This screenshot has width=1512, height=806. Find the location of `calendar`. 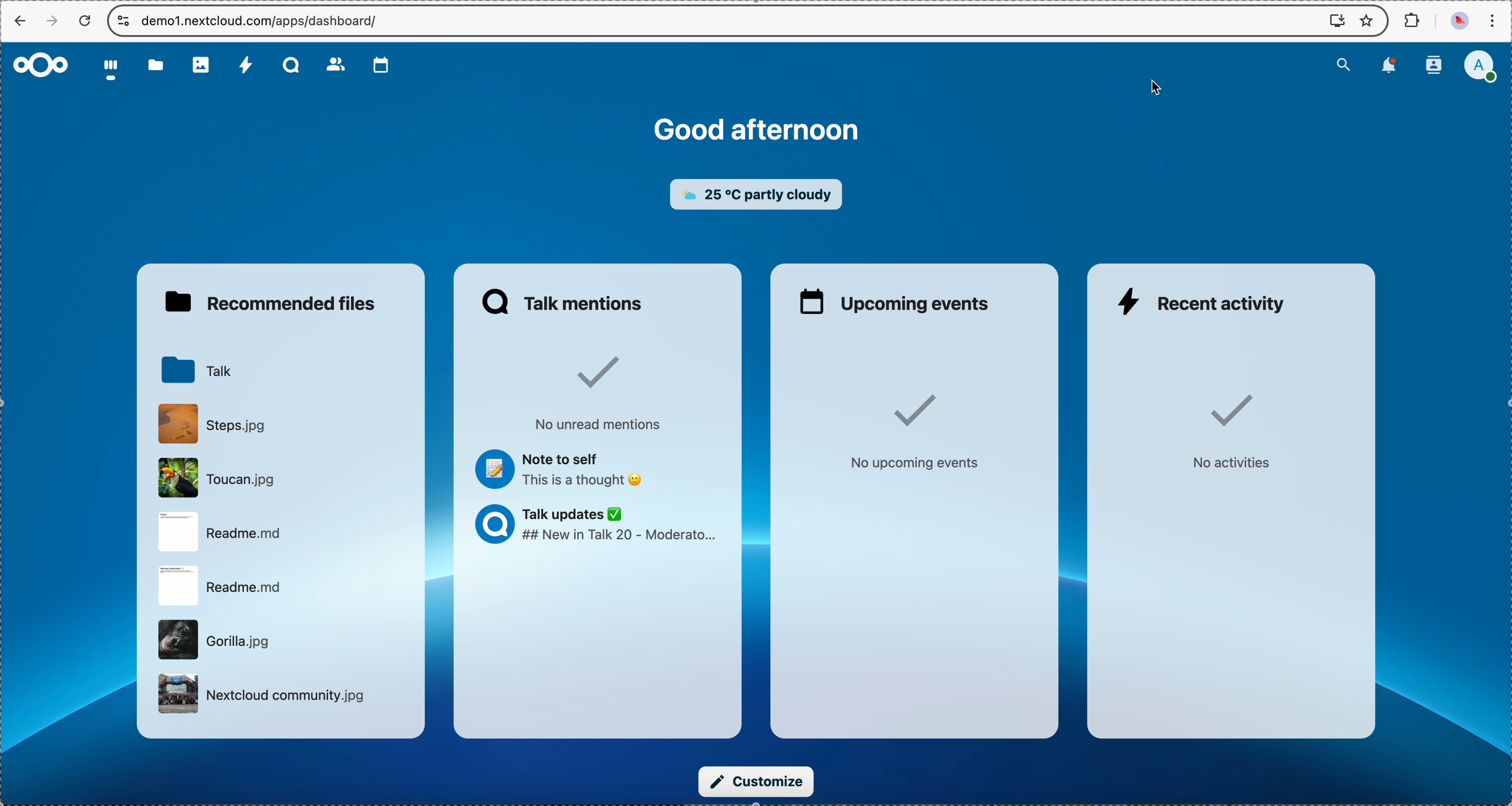

calendar is located at coordinates (381, 65).